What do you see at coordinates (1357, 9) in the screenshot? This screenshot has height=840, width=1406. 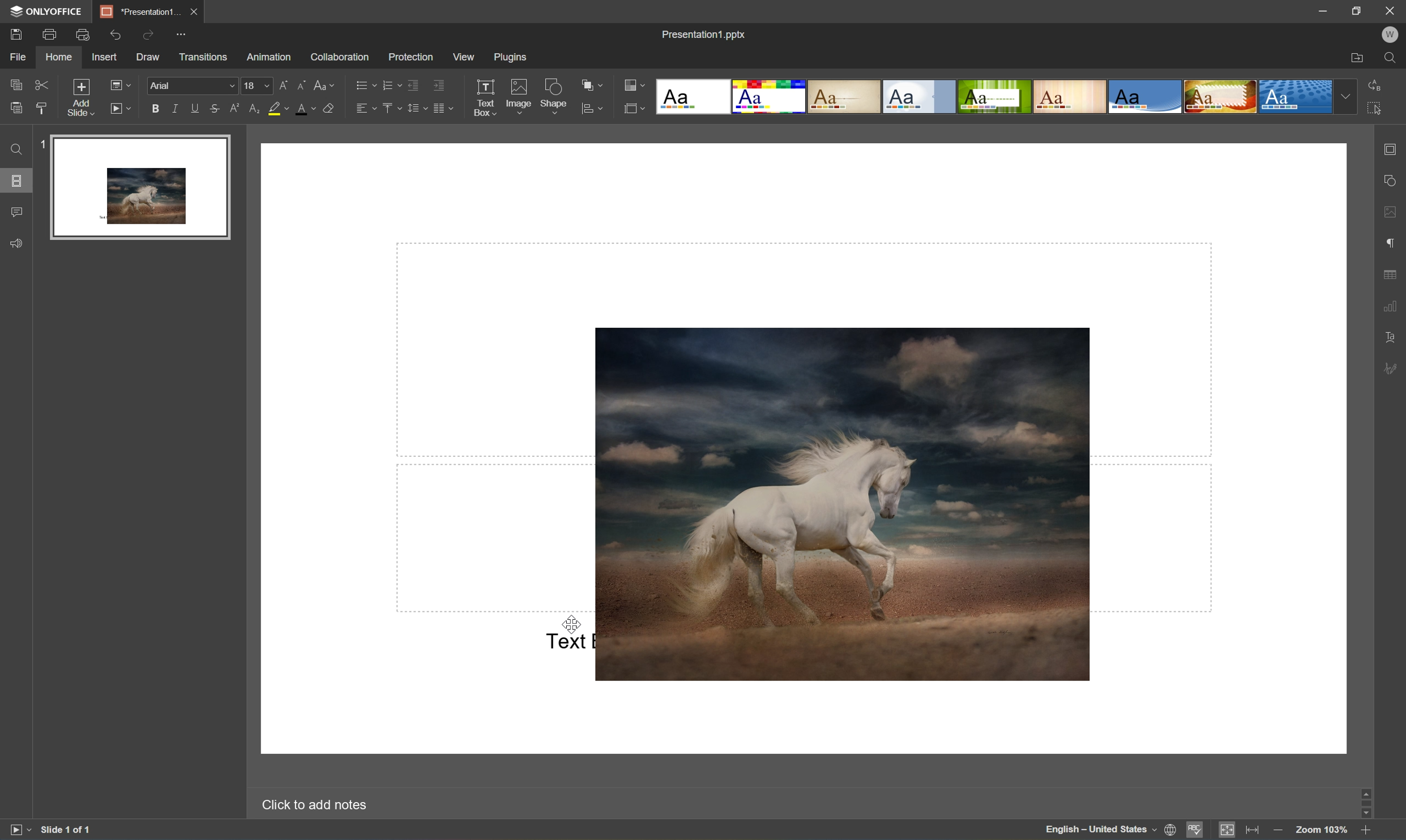 I see `Restore Down` at bounding box center [1357, 9].